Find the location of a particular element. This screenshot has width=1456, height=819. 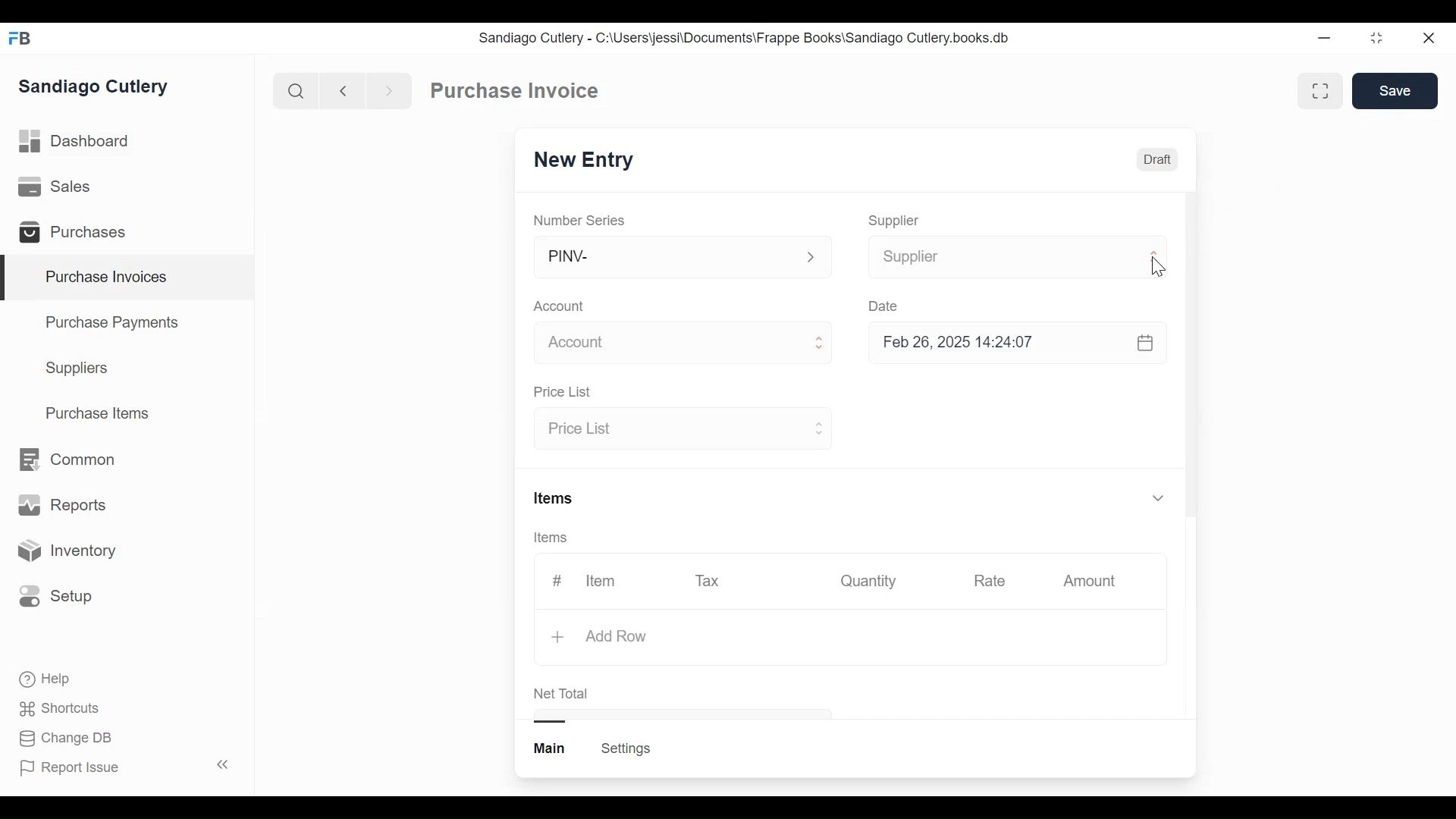

Purchases is located at coordinates (79, 234).